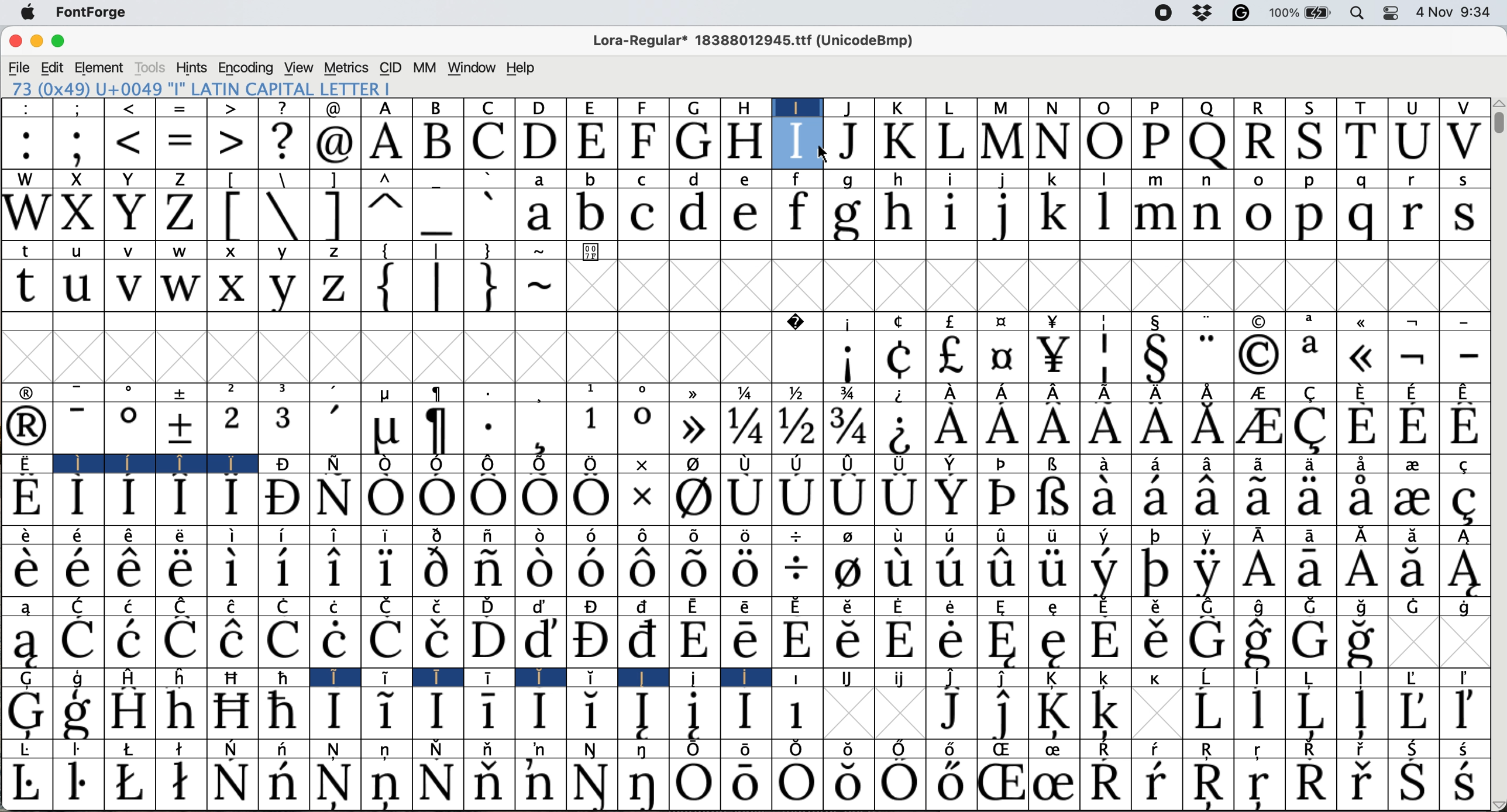  I want to click on <, so click(130, 144).